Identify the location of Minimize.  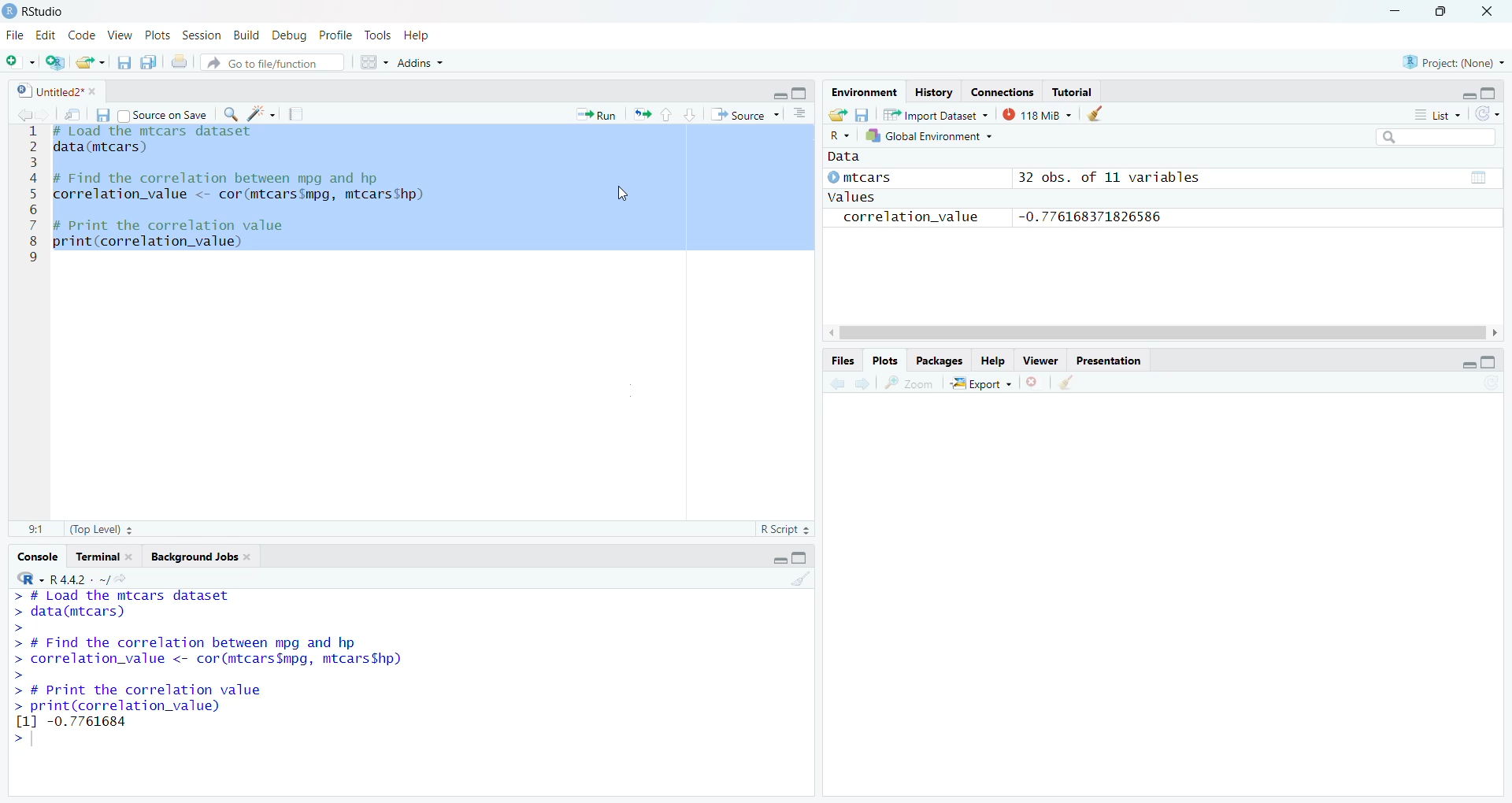
(1468, 95).